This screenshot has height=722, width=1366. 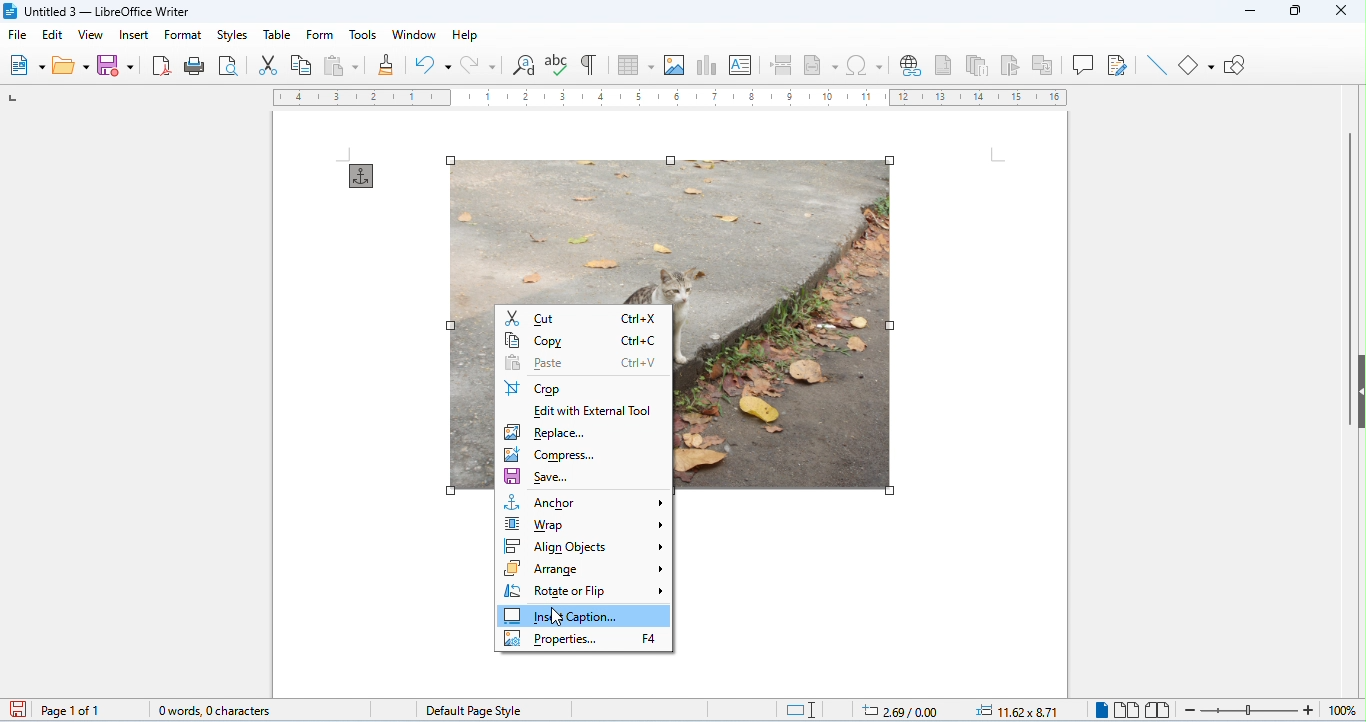 I want to click on open, so click(x=72, y=66).